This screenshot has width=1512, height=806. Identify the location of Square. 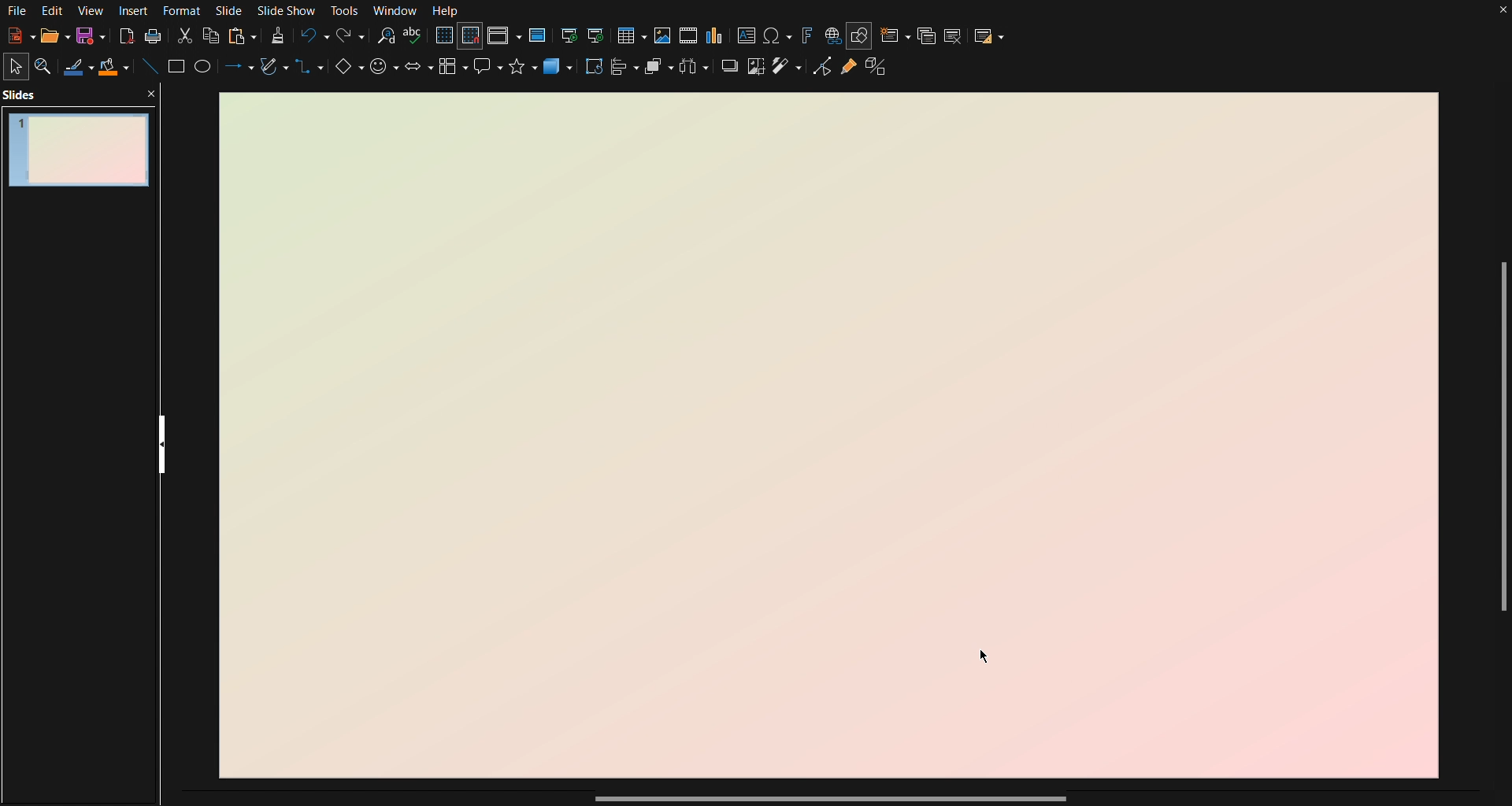
(178, 69).